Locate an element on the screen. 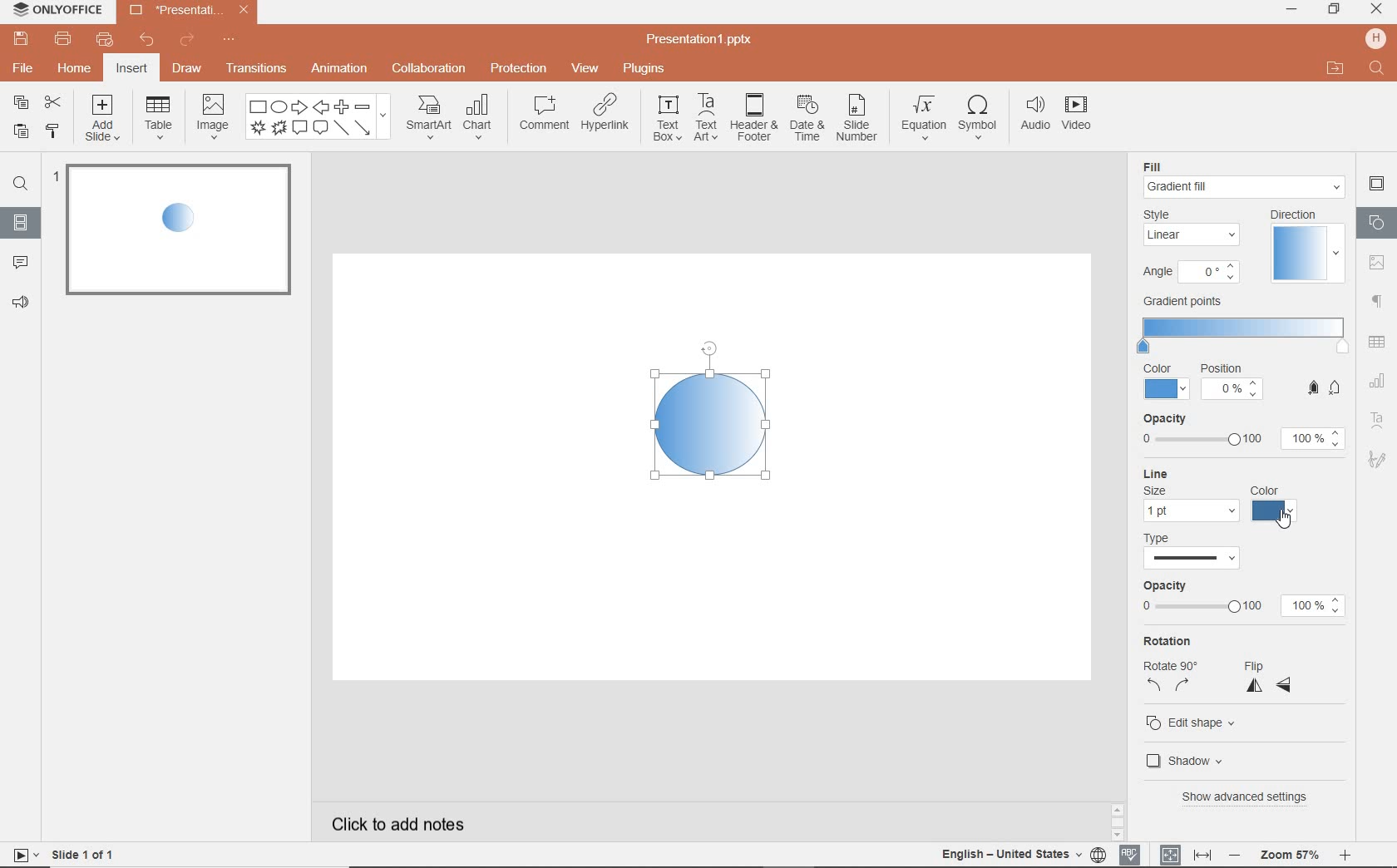  draw is located at coordinates (187, 72).